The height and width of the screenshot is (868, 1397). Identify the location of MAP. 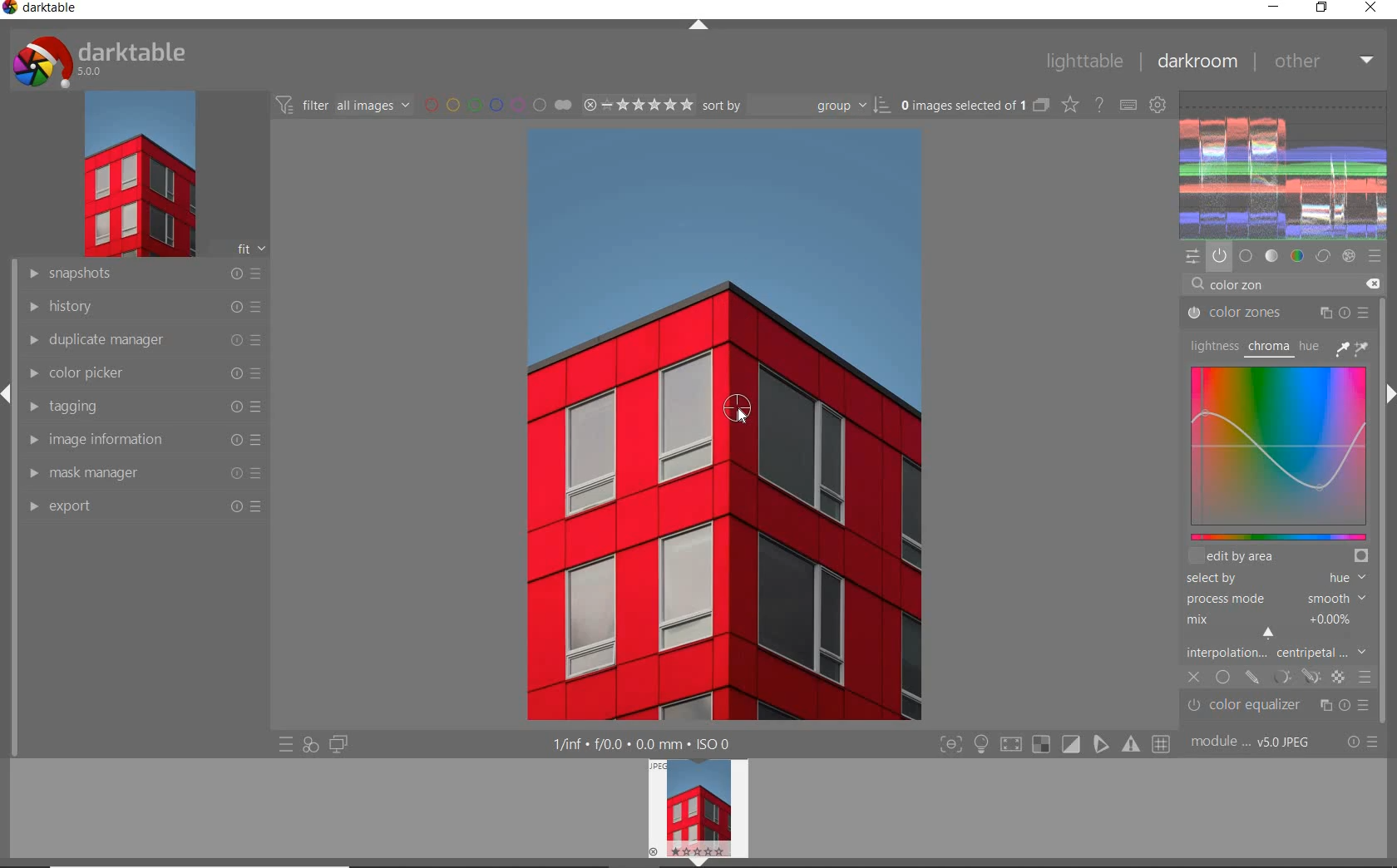
(1283, 451).